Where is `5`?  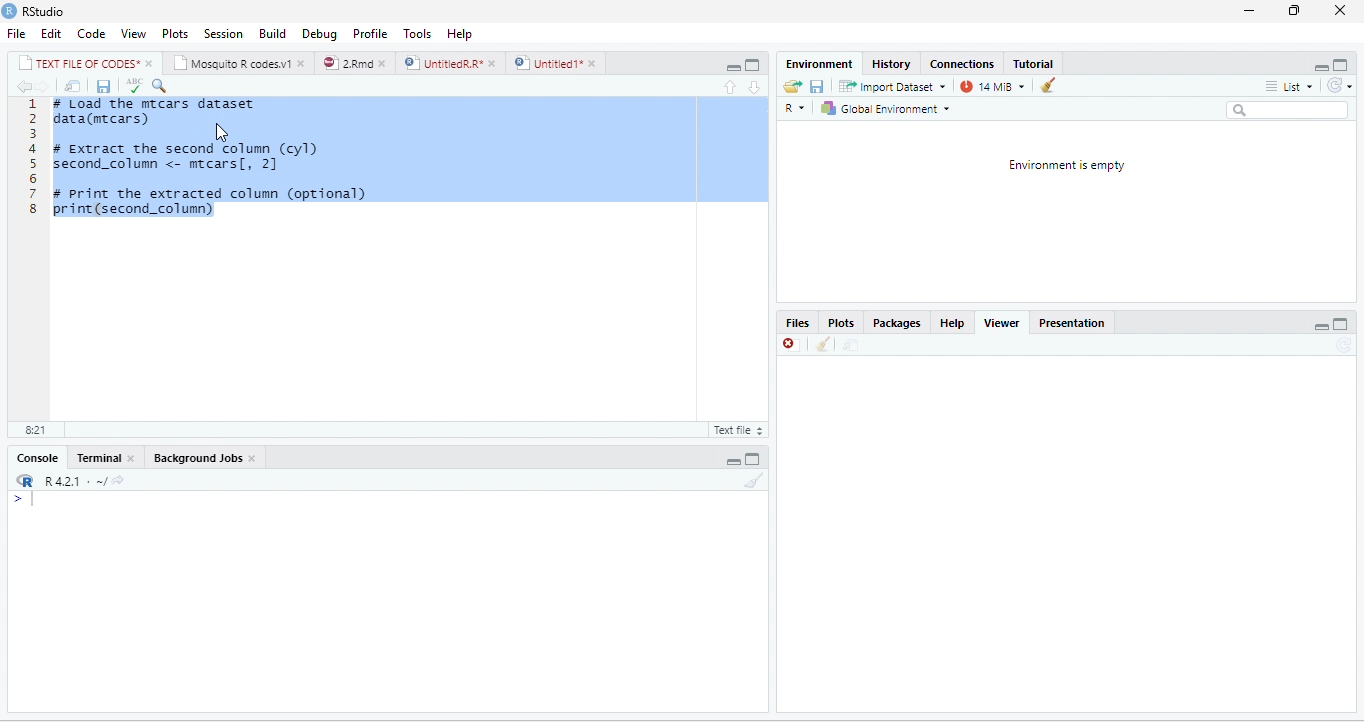
5 is located at coordinates (32, 163).